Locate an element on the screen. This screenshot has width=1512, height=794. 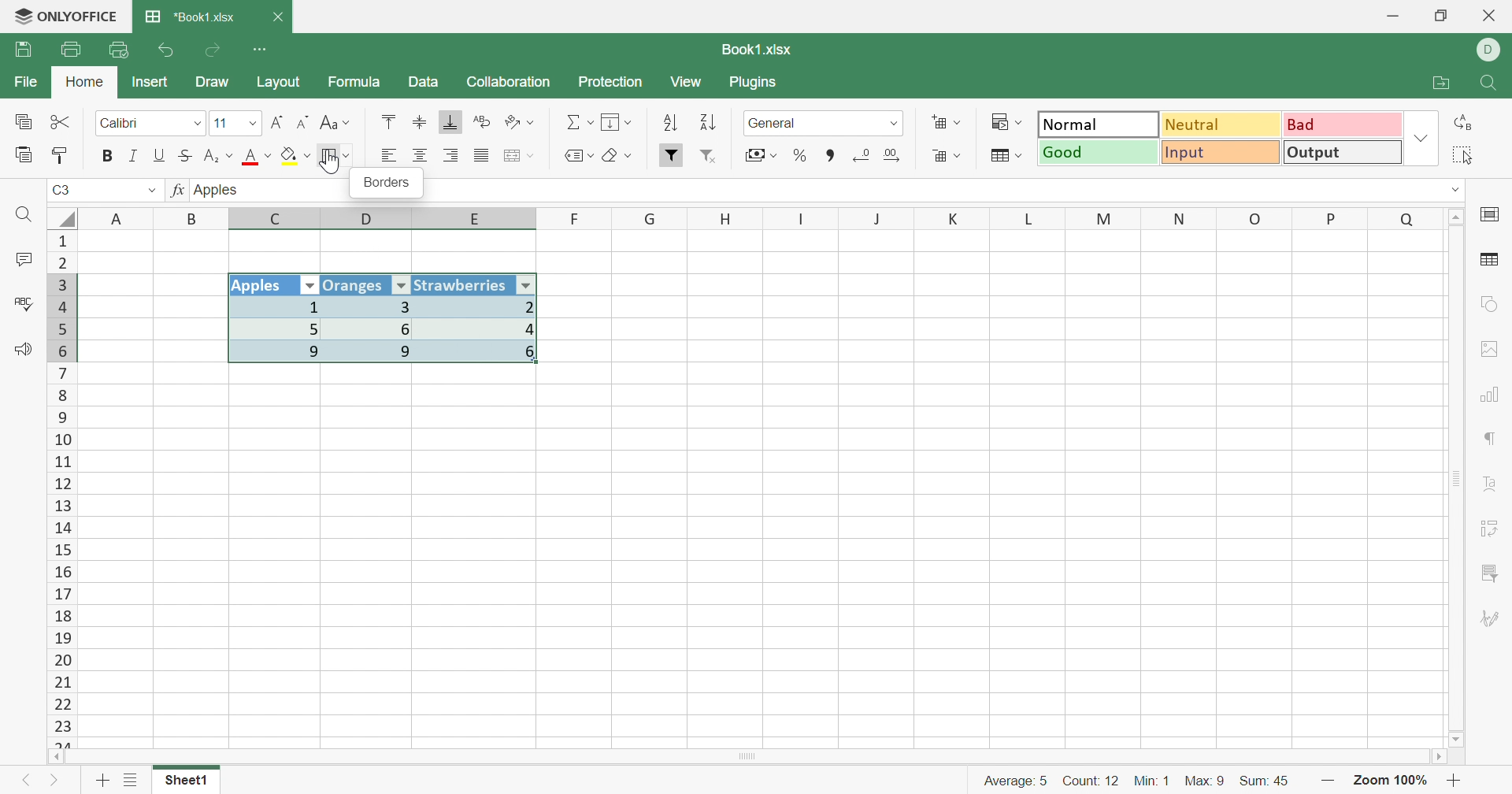
Summation is located at coordinates (580, 123).